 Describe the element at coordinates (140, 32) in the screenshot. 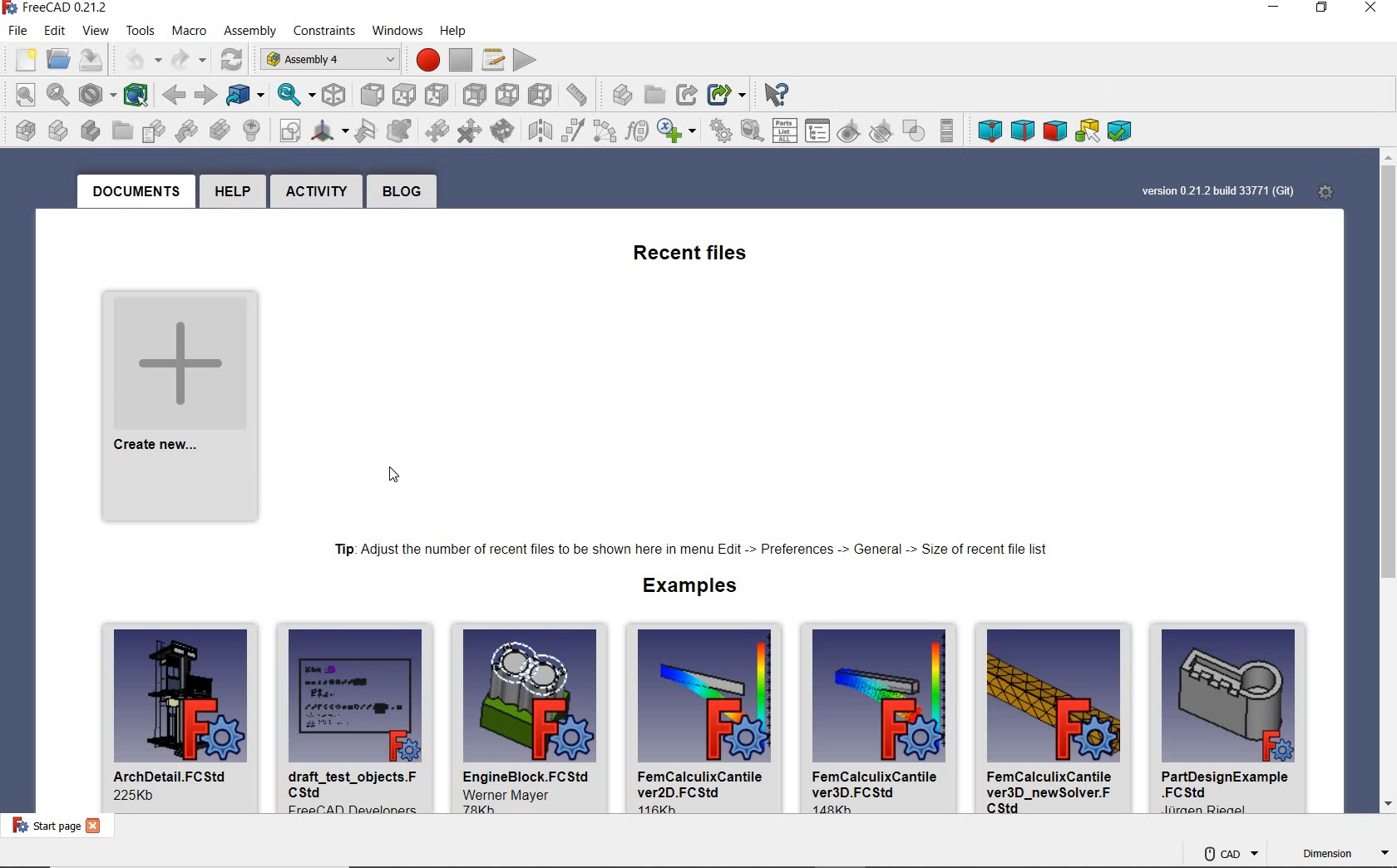

I see `tools` at that location.